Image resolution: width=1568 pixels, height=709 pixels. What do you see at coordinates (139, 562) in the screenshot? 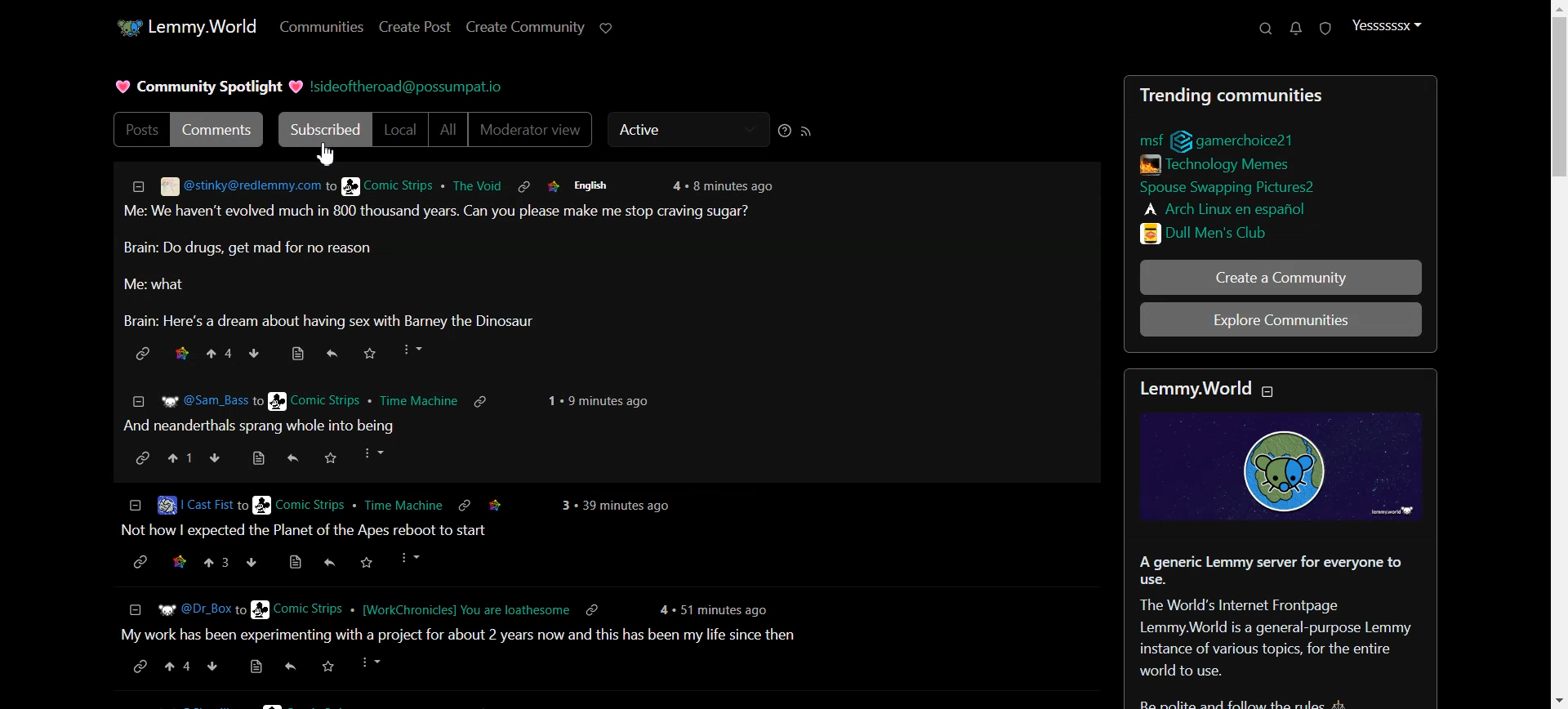
I see `copy link` at bounding box center [139, 562].